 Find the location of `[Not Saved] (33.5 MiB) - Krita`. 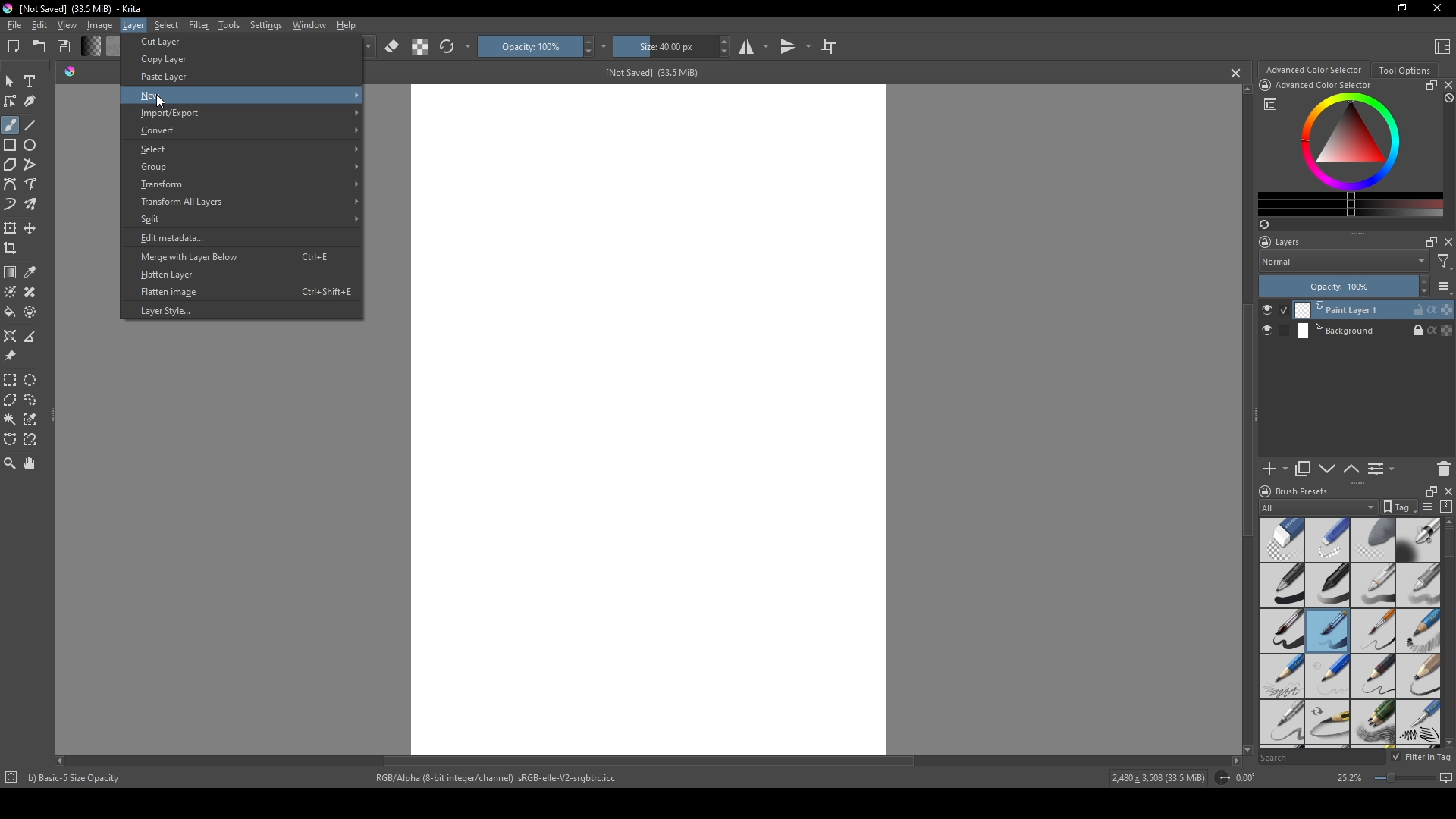

[Not Saved] (33.5 MiB) - Krita is located at coordinates (83, 9).